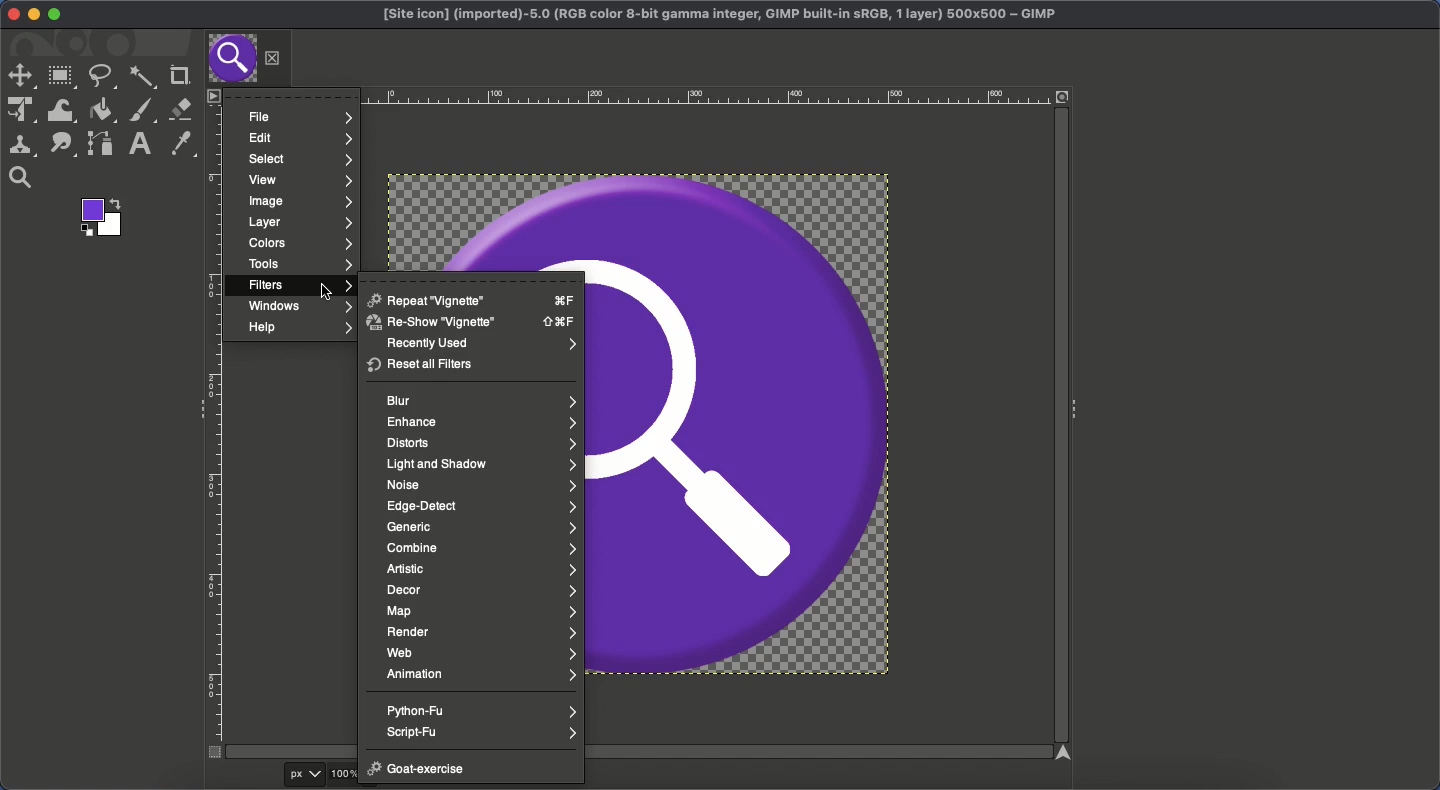  I want to click on px, so click(308, 775).